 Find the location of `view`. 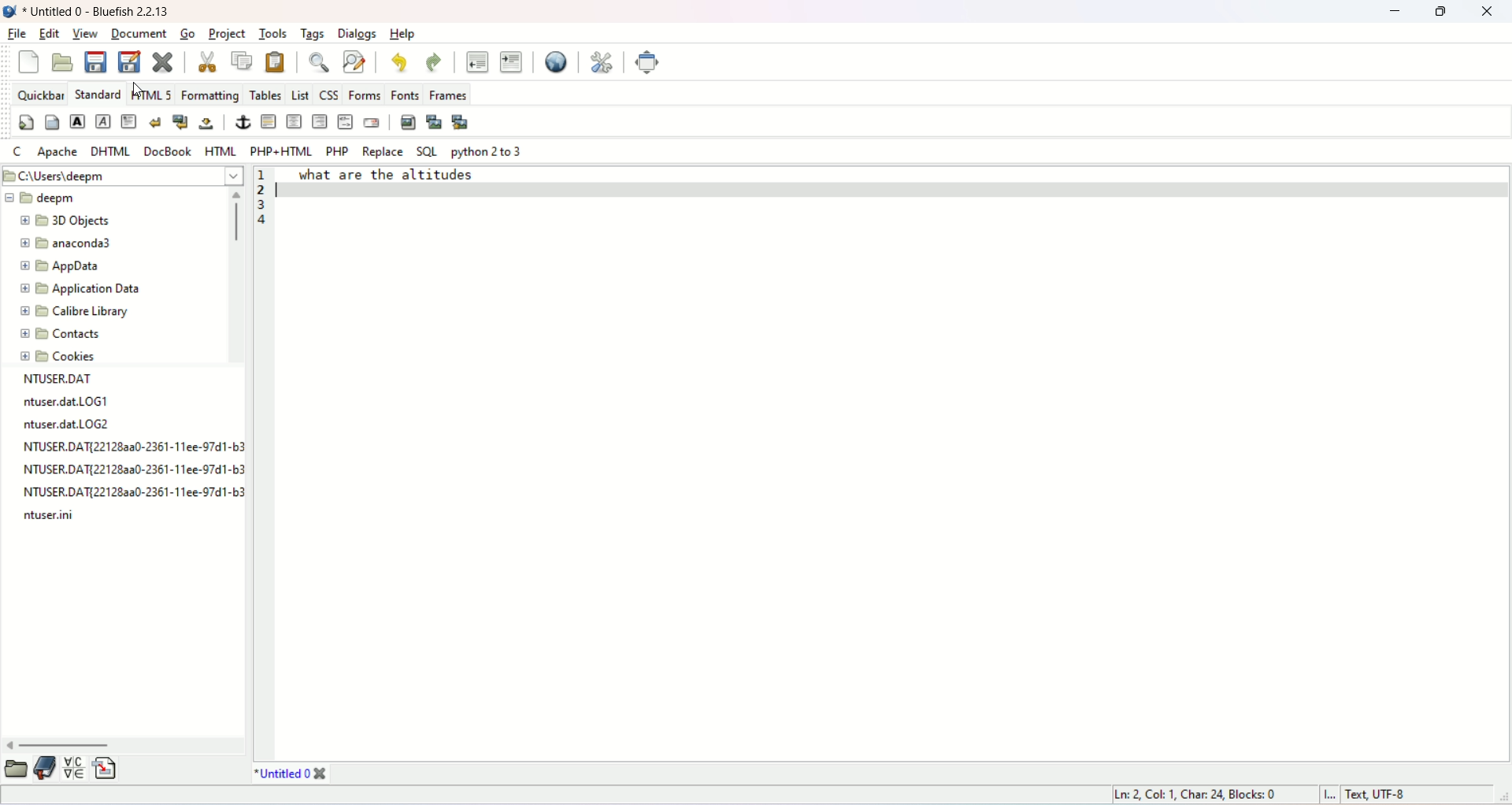

view is located at coordinates (87, 35).